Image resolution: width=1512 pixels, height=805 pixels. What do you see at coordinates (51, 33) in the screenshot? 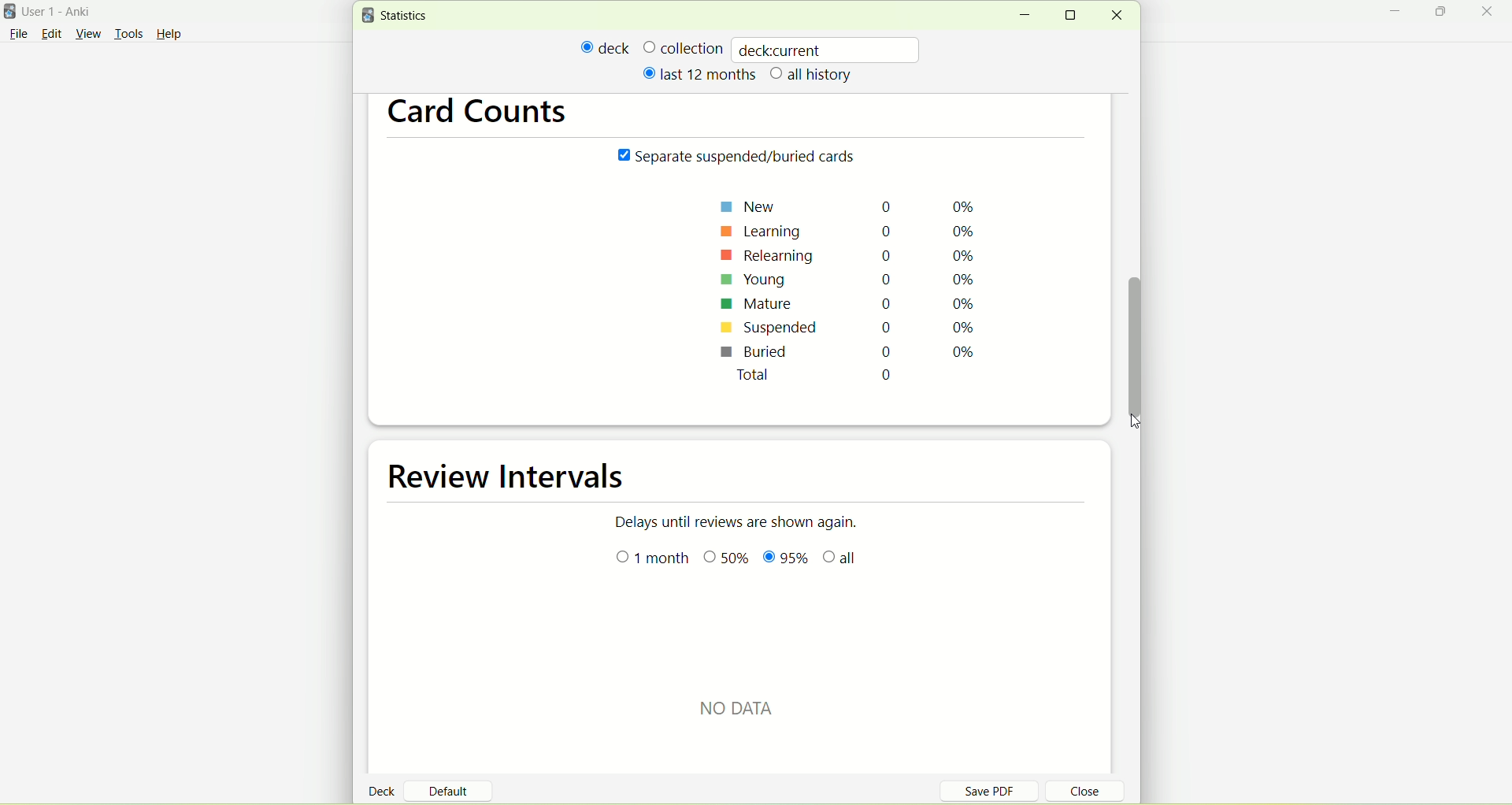
I see `edit` at bounding box center [51, 33].